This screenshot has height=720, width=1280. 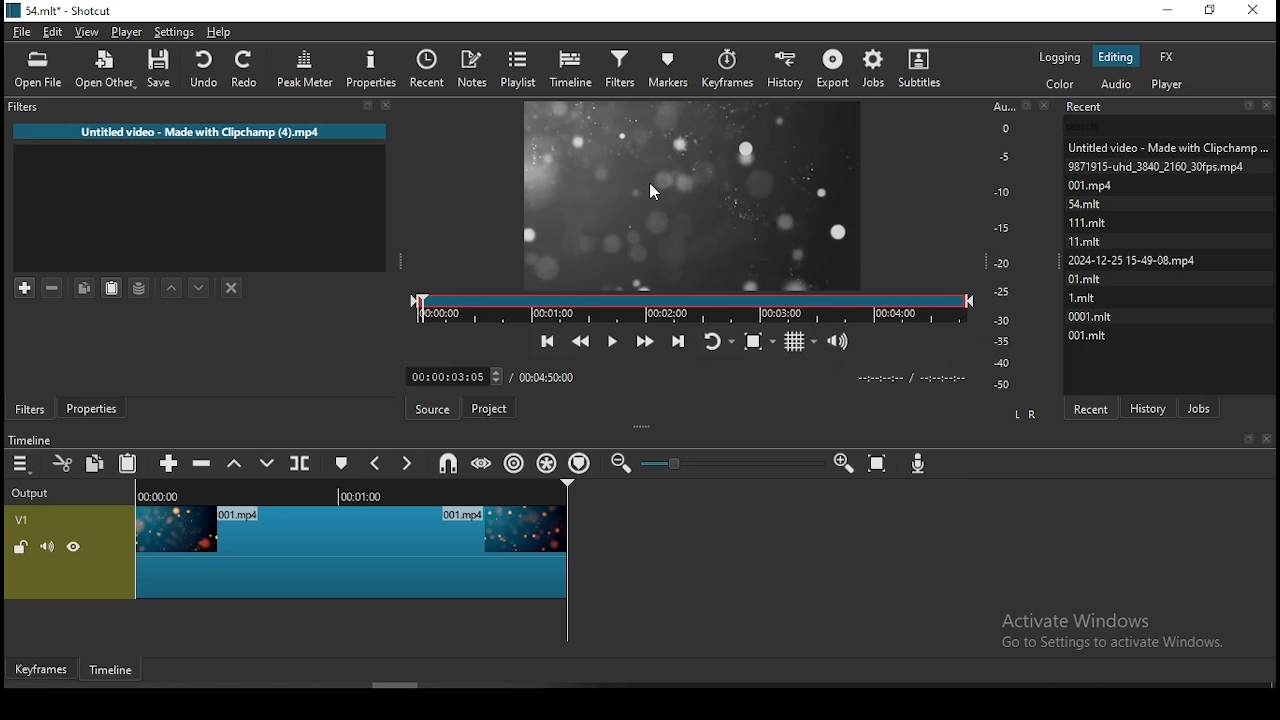 What do you see at coordinates (167, 284) in the screenshot?
I see `move filter up` at bounding box center [167, 284].